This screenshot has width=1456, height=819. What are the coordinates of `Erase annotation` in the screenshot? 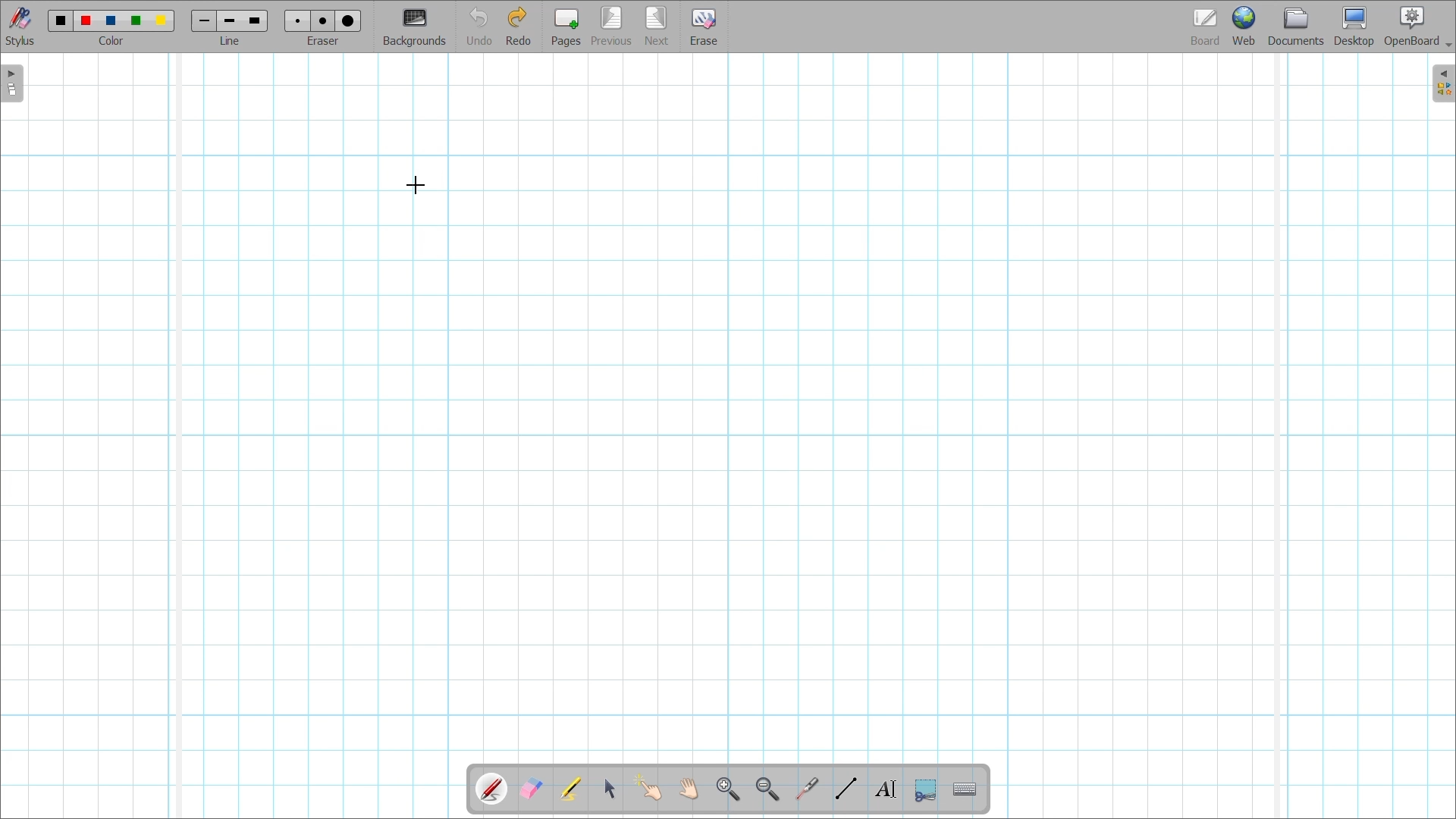 It's located at (530, 789).